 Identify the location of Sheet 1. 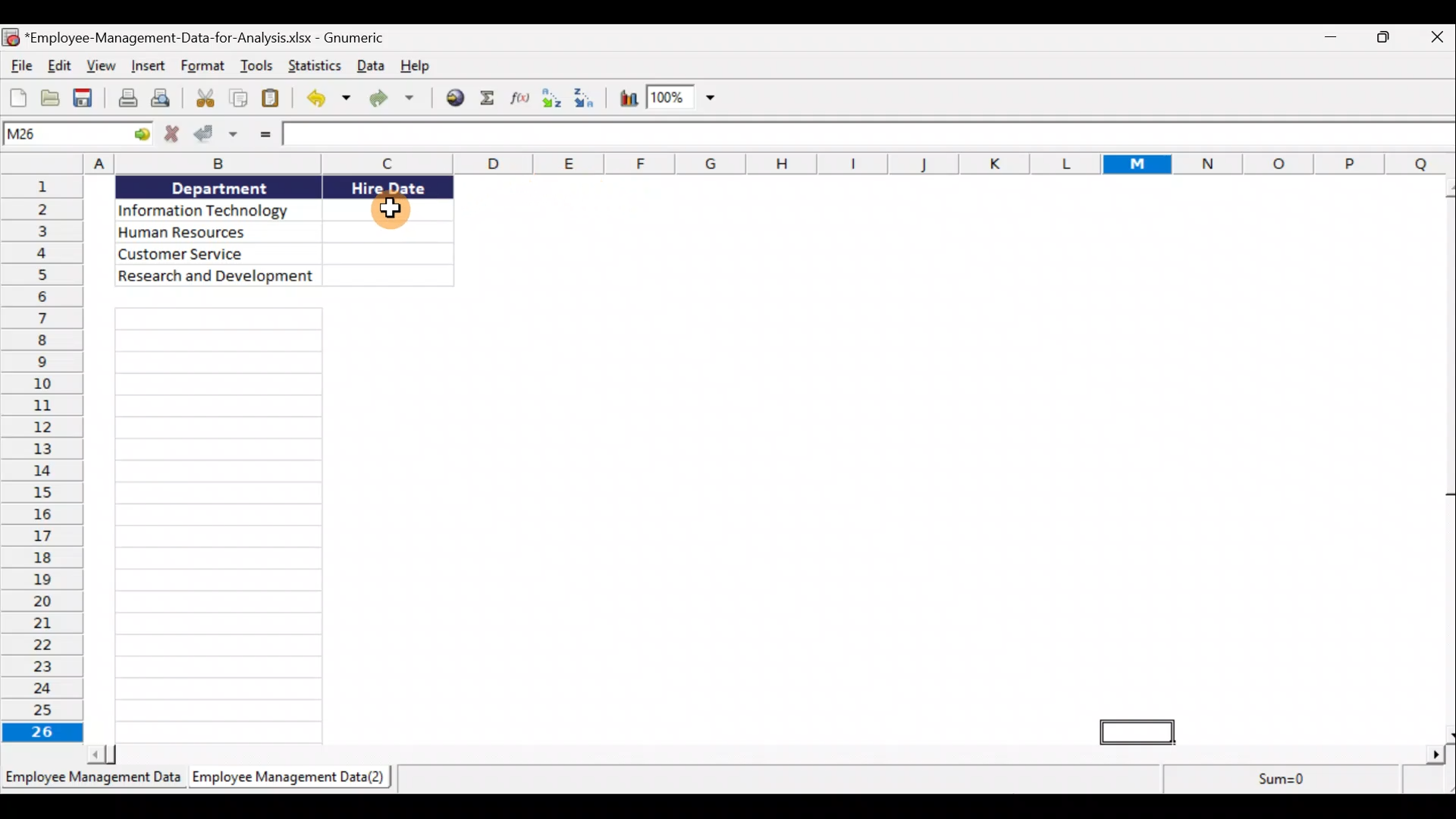
(93, 782).